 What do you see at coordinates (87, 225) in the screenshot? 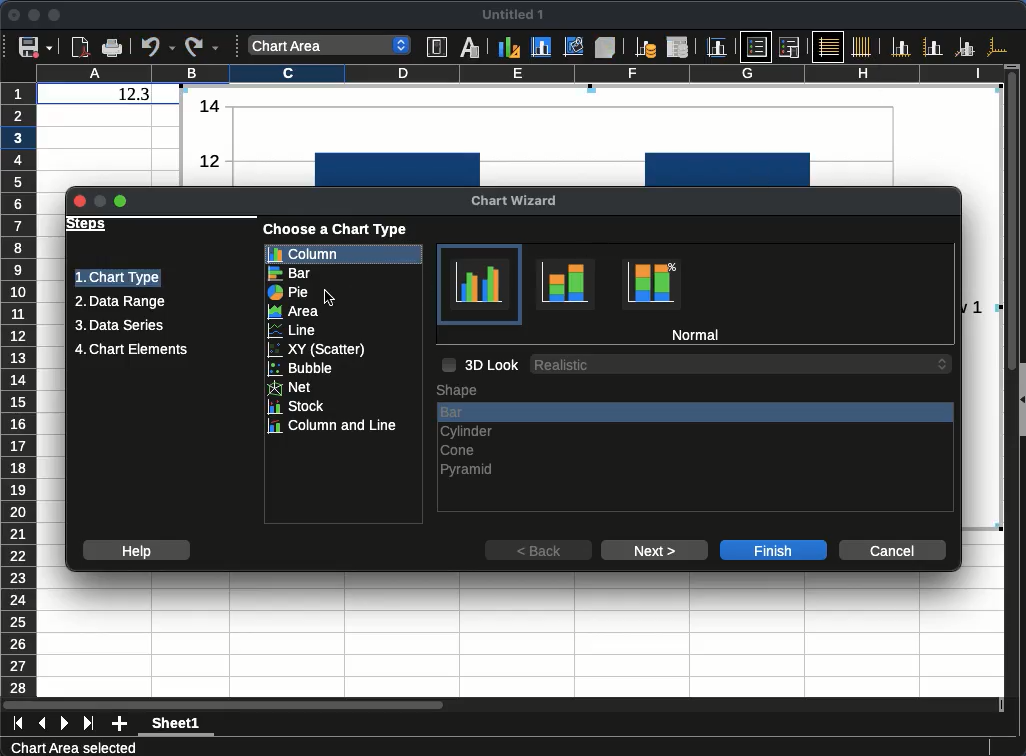
I see `steps` at bounding box center [87, 225].